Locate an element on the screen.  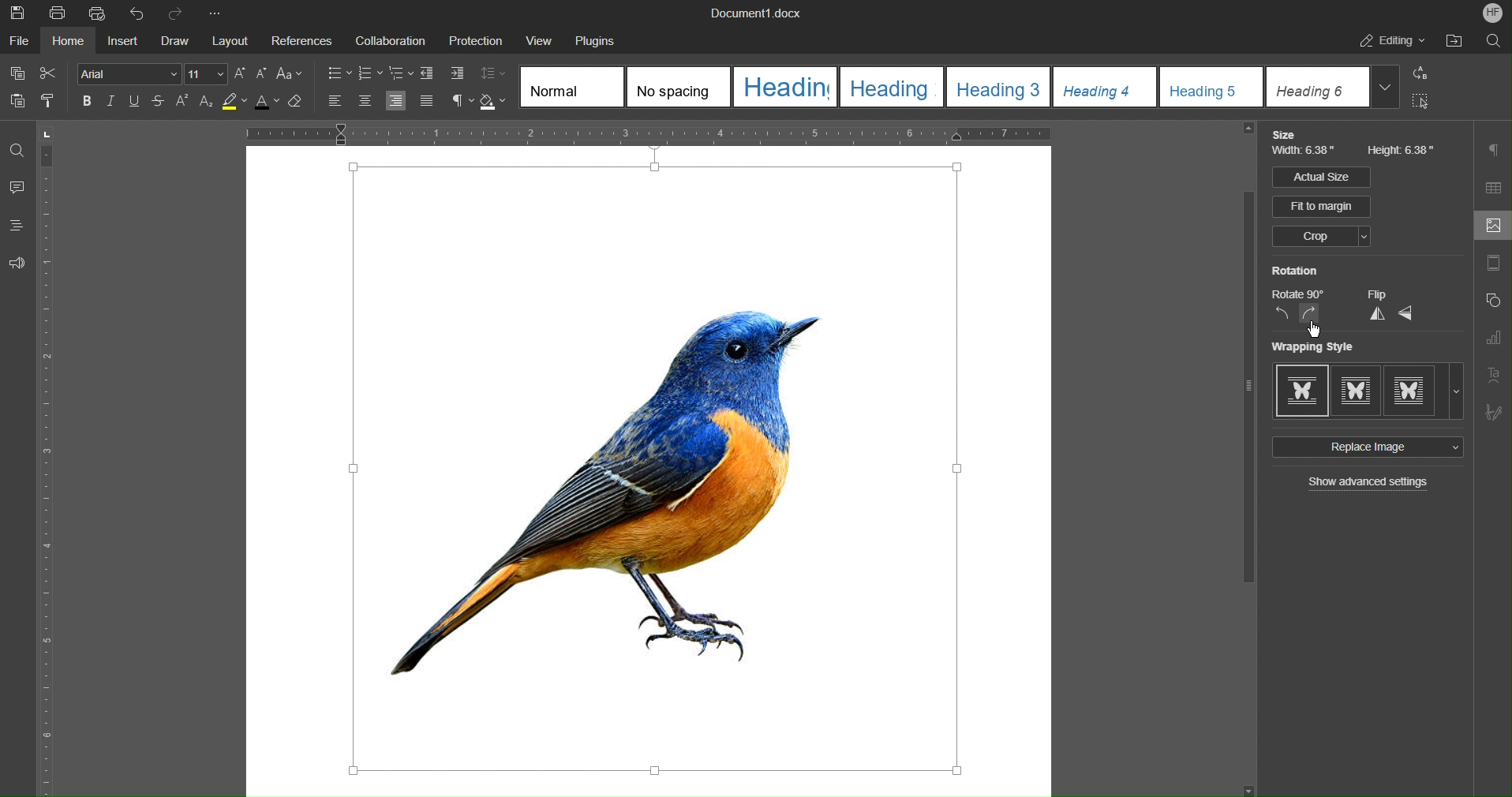
Insert is located at coordinates (124, 39).